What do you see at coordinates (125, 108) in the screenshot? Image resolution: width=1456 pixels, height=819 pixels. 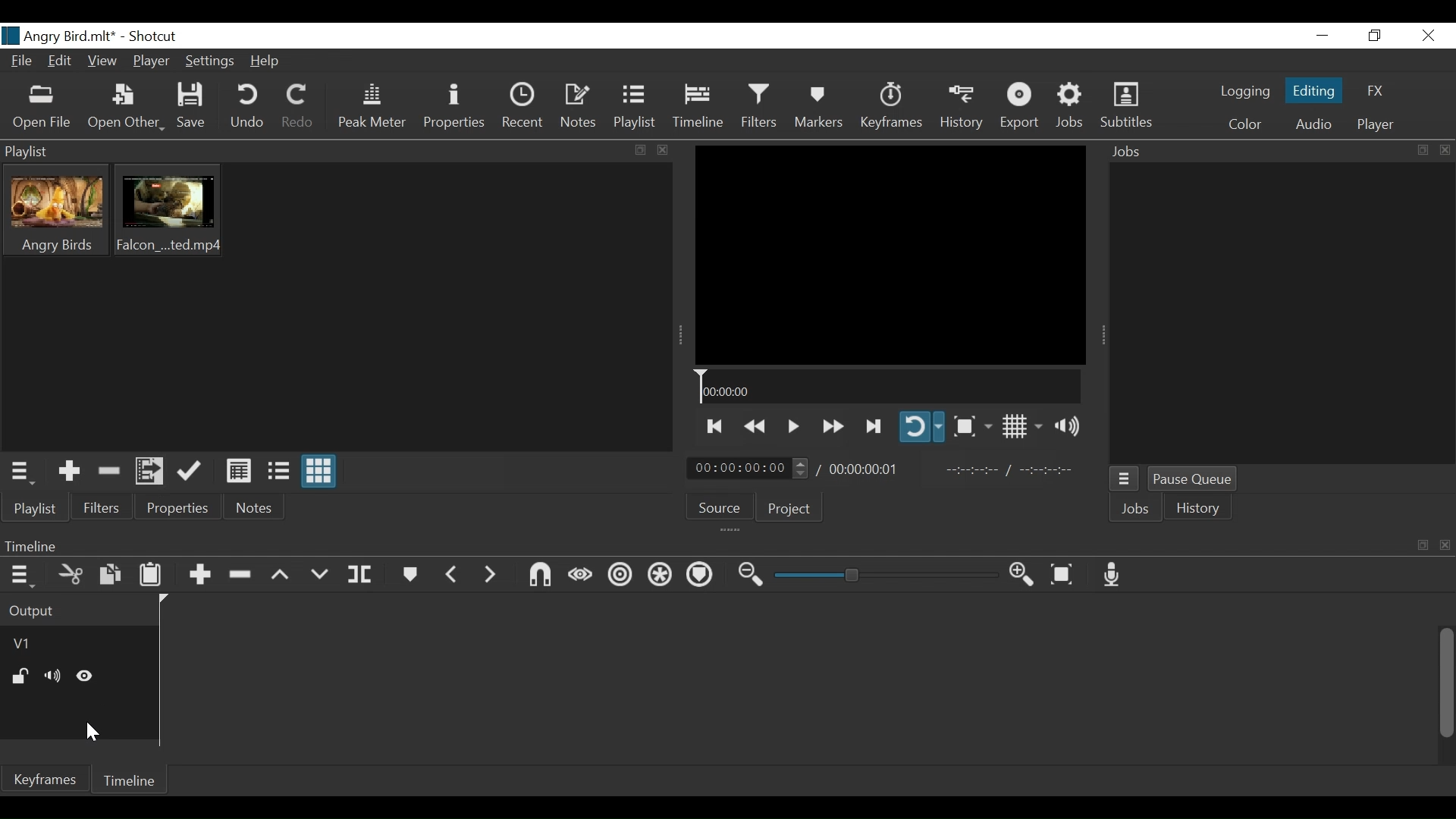 I see `Open Other` at bounding box center [125, 108].